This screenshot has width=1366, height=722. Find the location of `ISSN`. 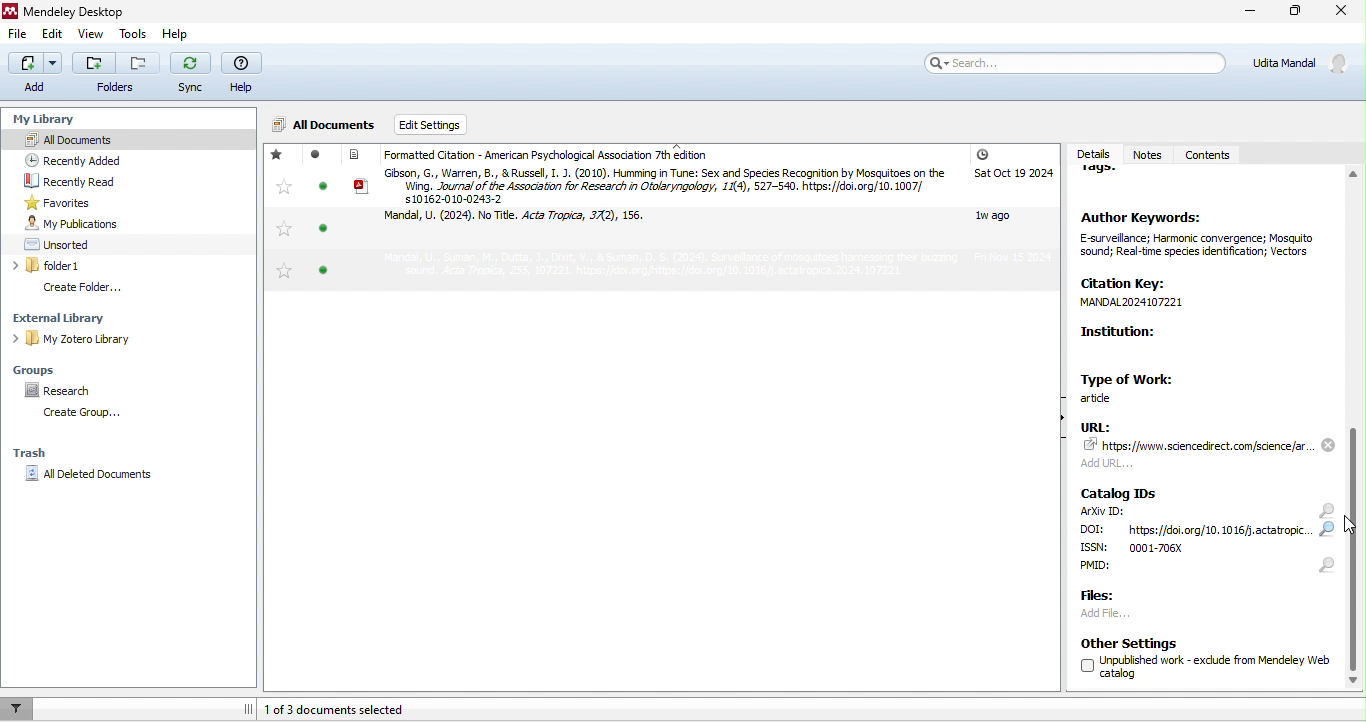

ISSN is located at coordinates (1161, 548).